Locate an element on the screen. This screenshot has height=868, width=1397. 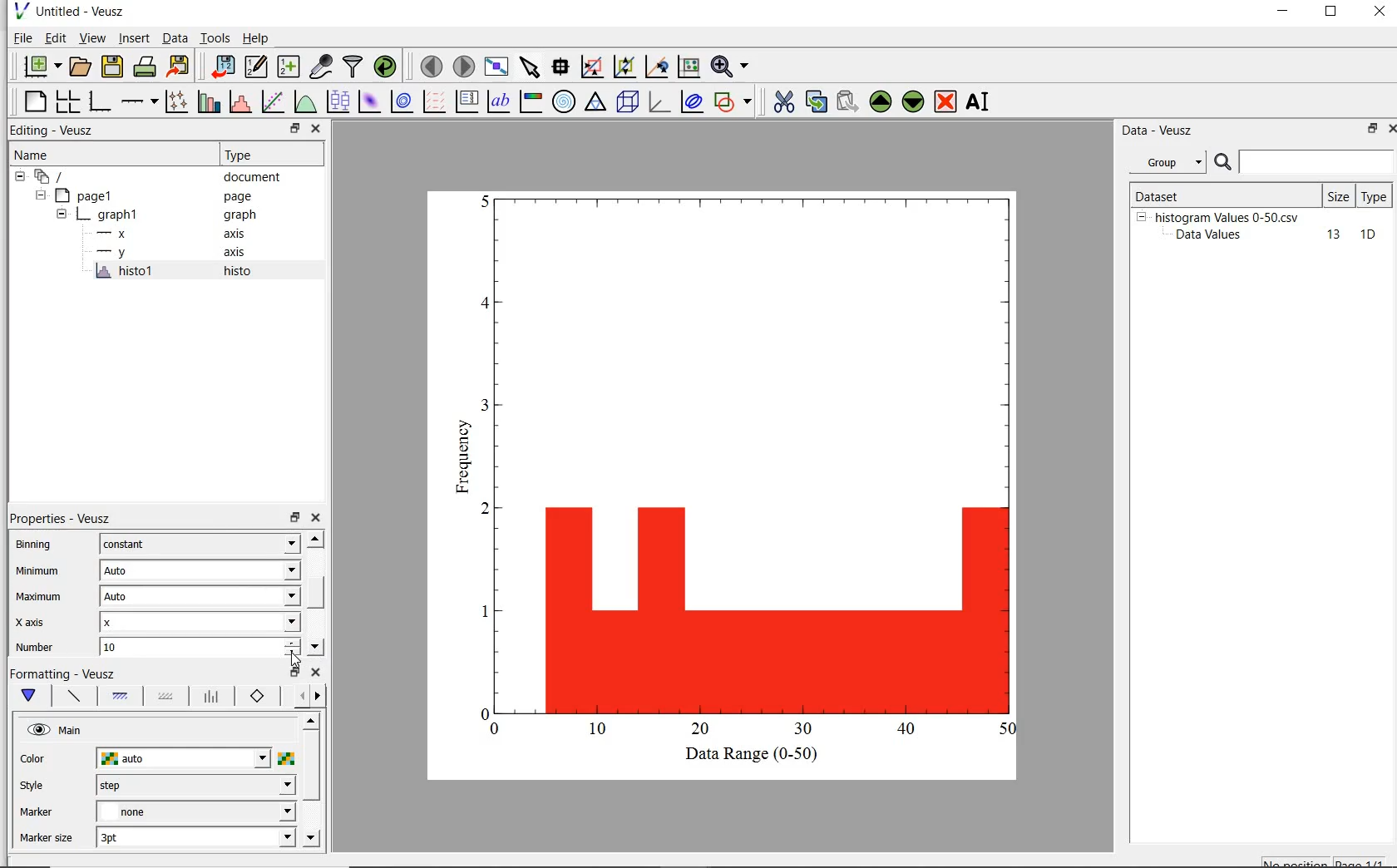
click to reset graph axes is located at coordinates (591, 67).